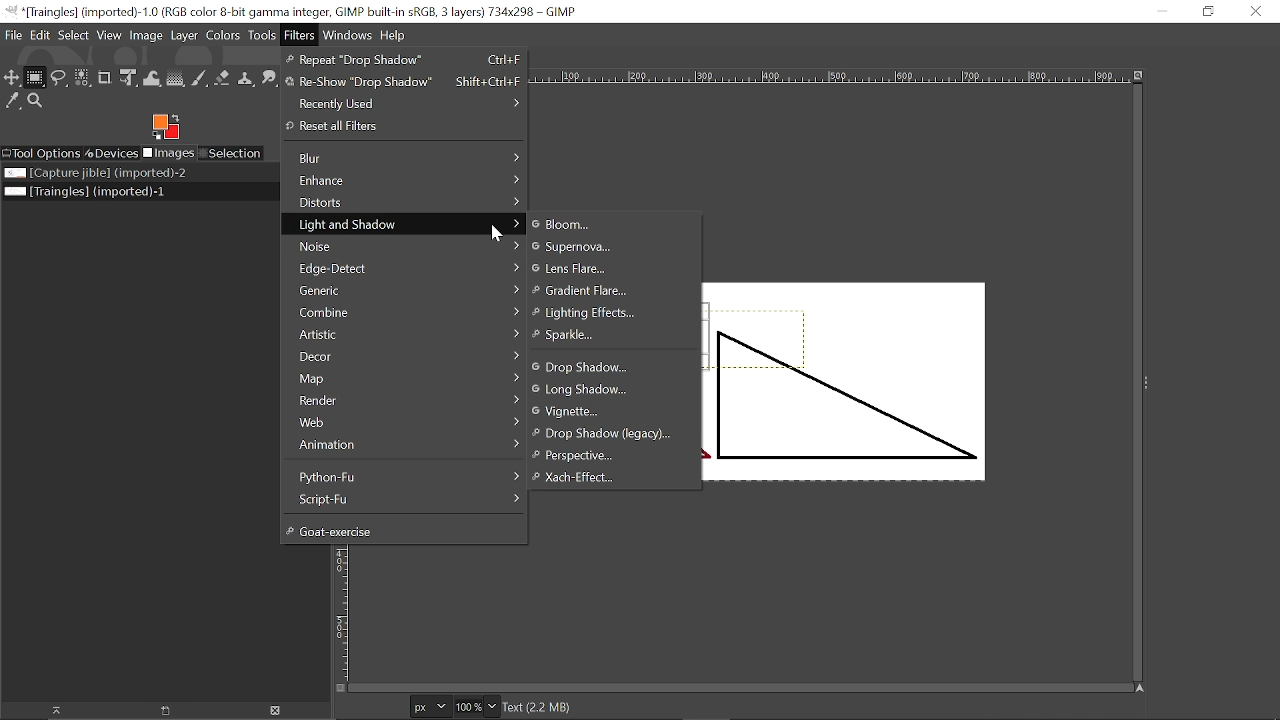  Describe the element at coordinates (408, 157) in the screenshot. I see `Blur` at that location.